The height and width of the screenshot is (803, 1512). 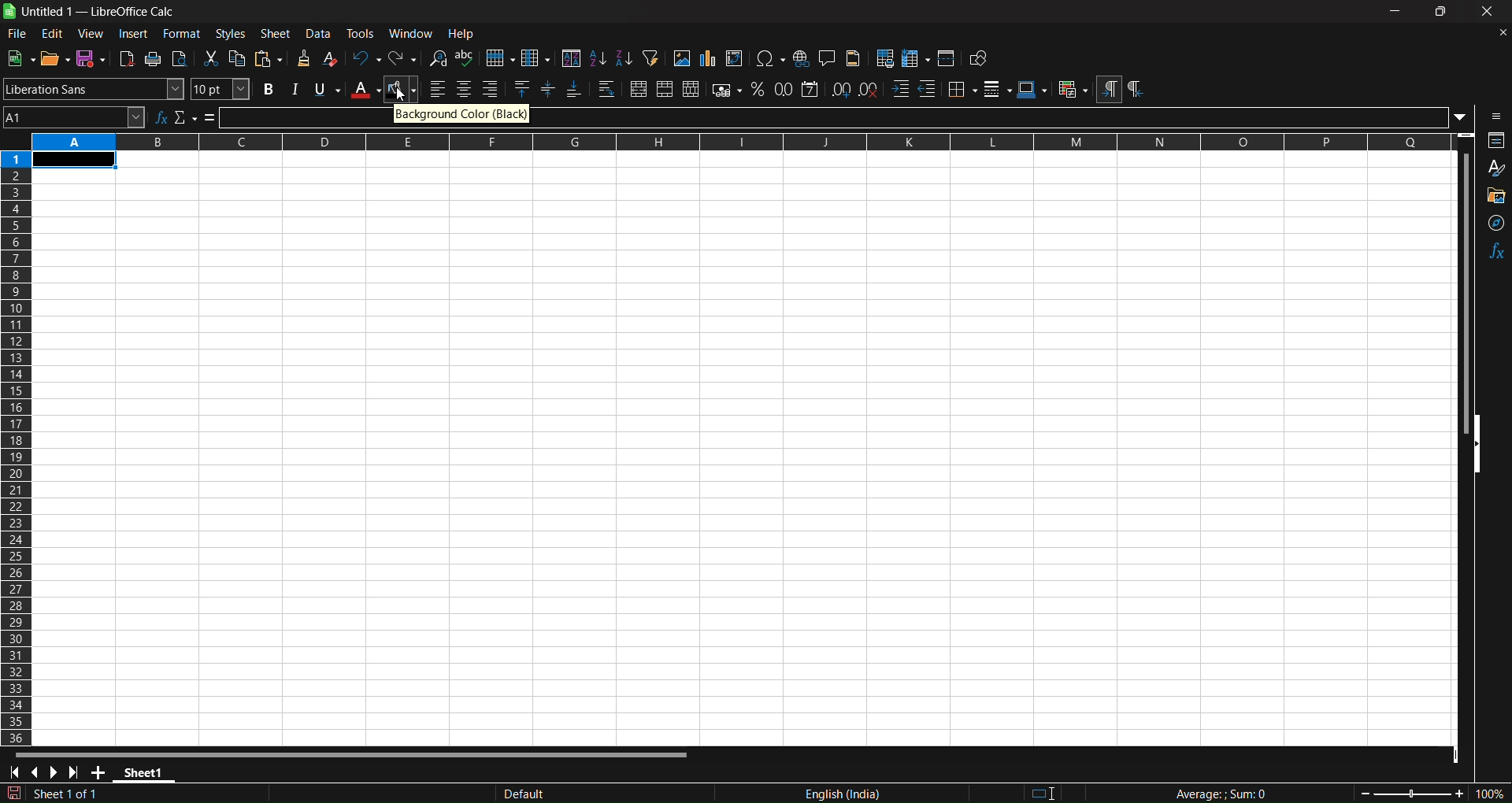 I want to click on sheet, so click(x=277, y=33).